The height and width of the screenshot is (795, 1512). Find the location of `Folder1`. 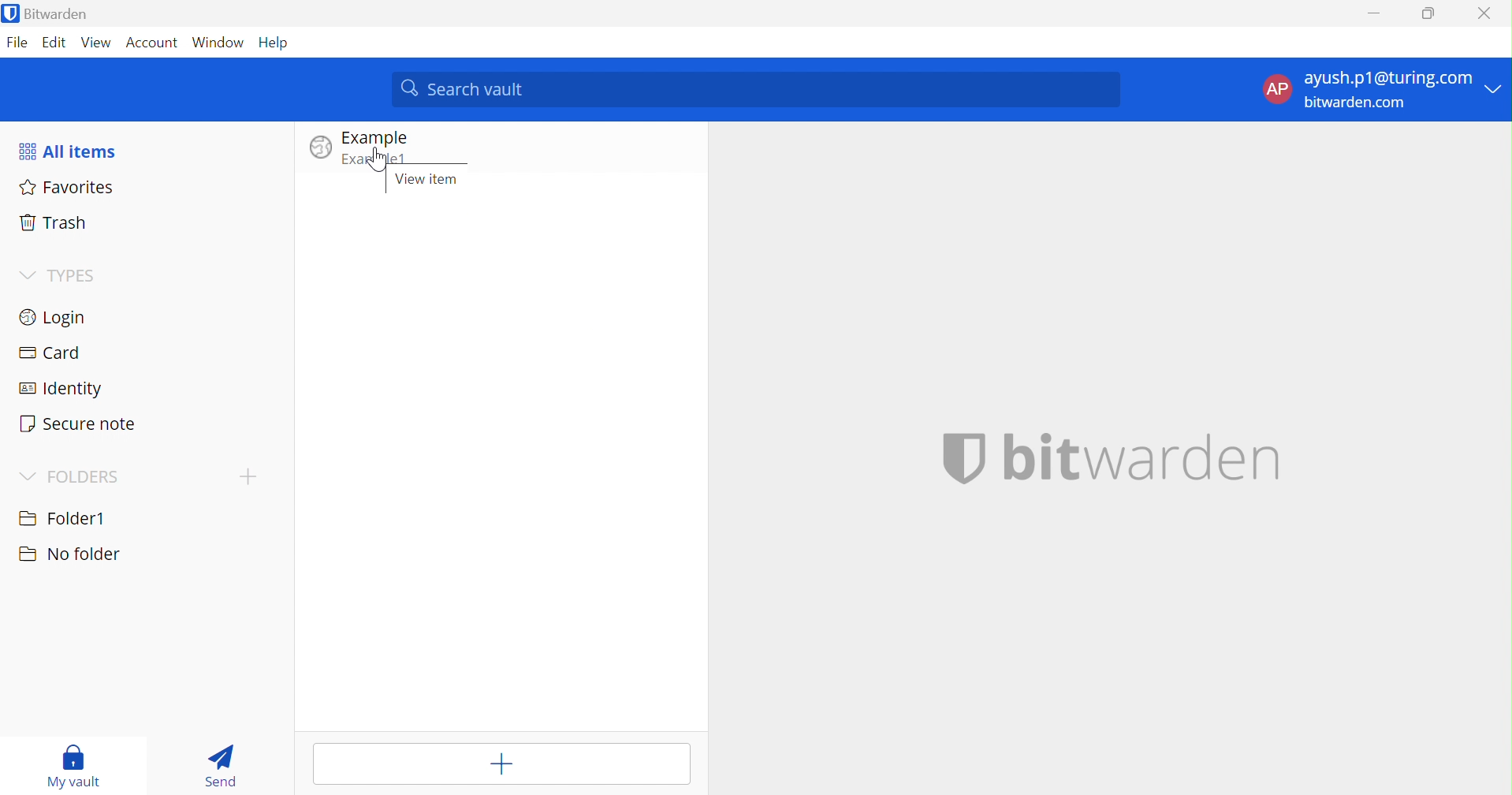

Folder1 is located at coordinates (63, 516).